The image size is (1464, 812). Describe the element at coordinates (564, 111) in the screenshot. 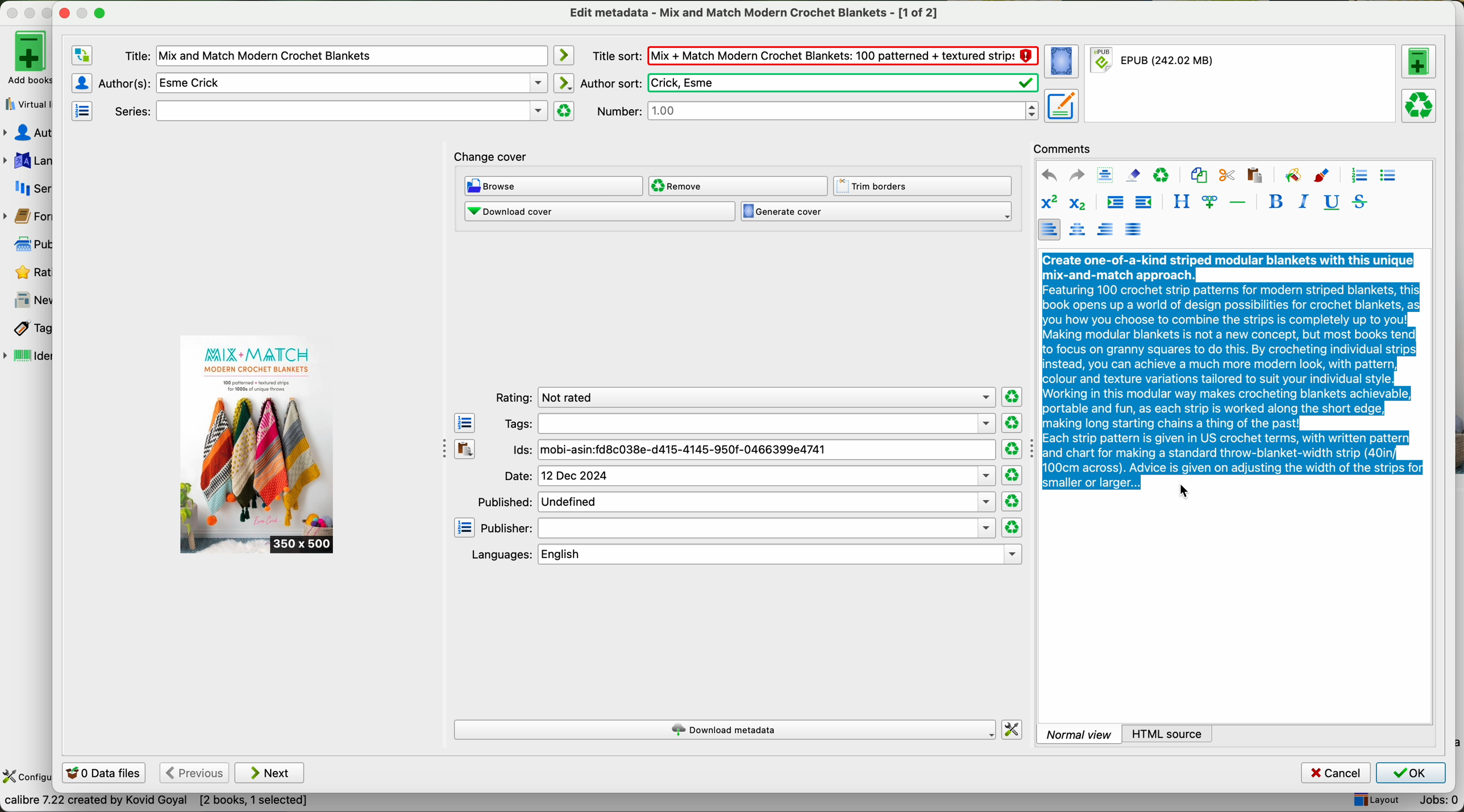

I see `clear series` at that location.